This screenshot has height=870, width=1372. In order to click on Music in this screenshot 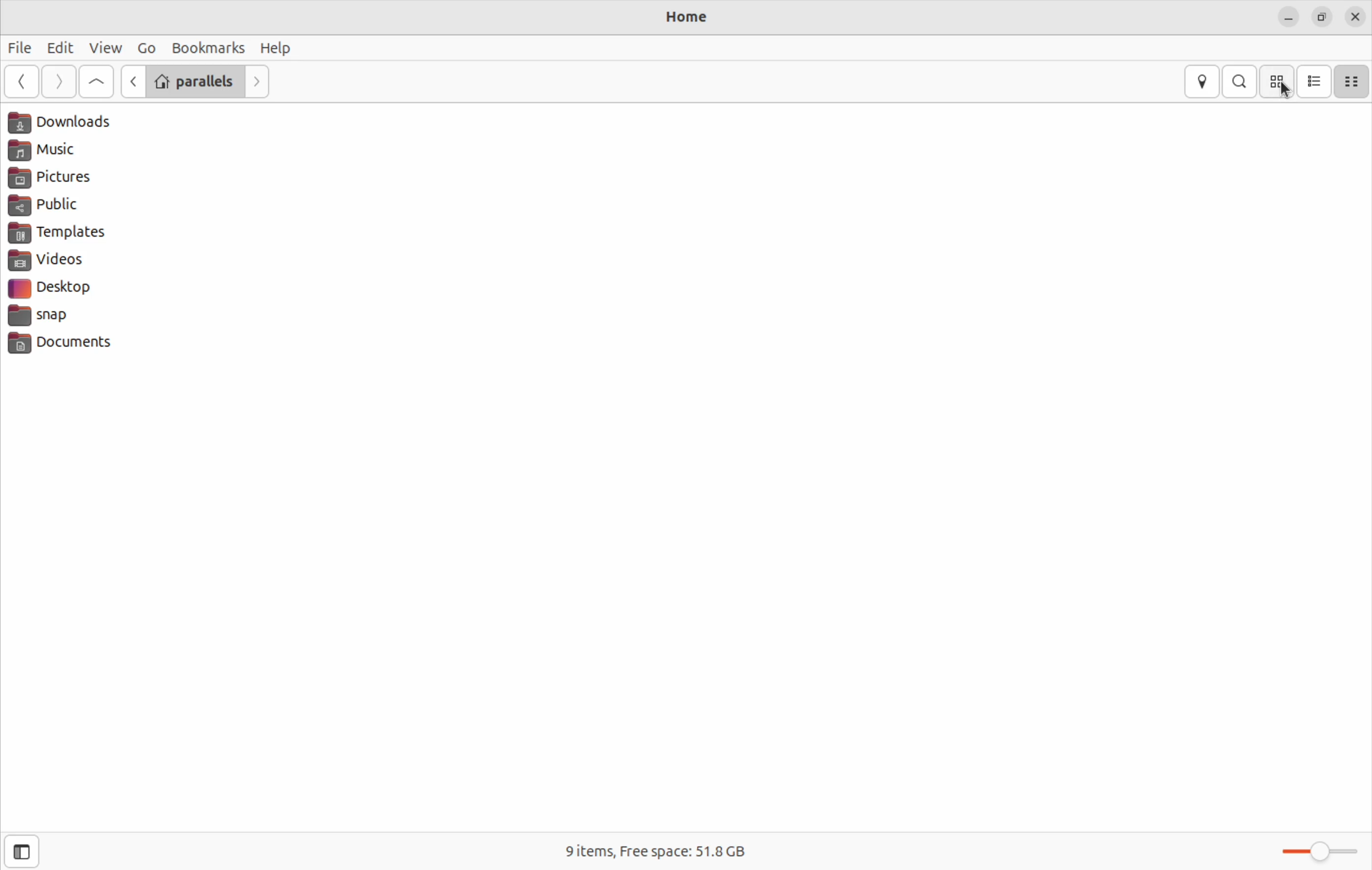, I will do `click(71, 153)`.